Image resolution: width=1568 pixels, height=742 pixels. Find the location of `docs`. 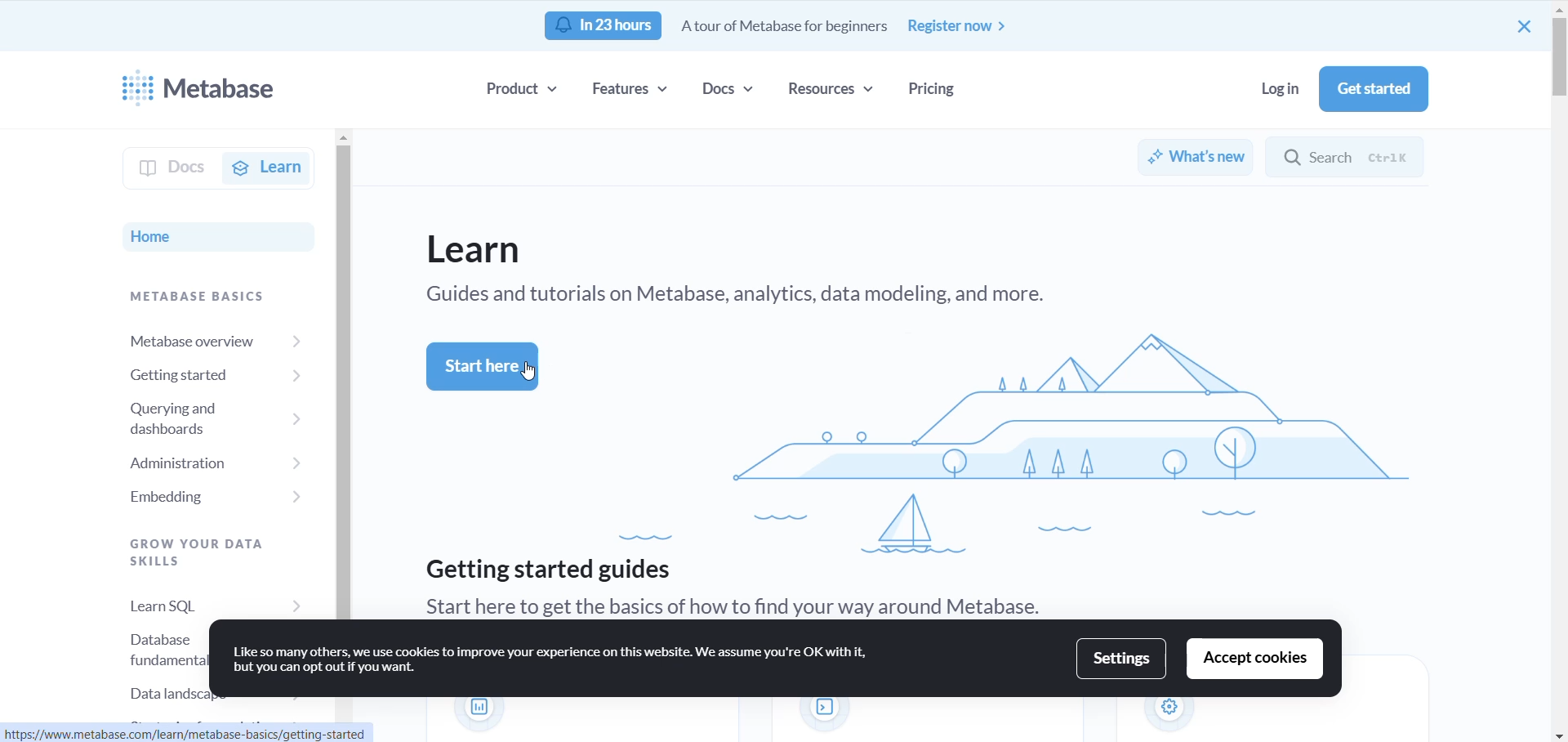

docs is located at coordinates (158, 167).